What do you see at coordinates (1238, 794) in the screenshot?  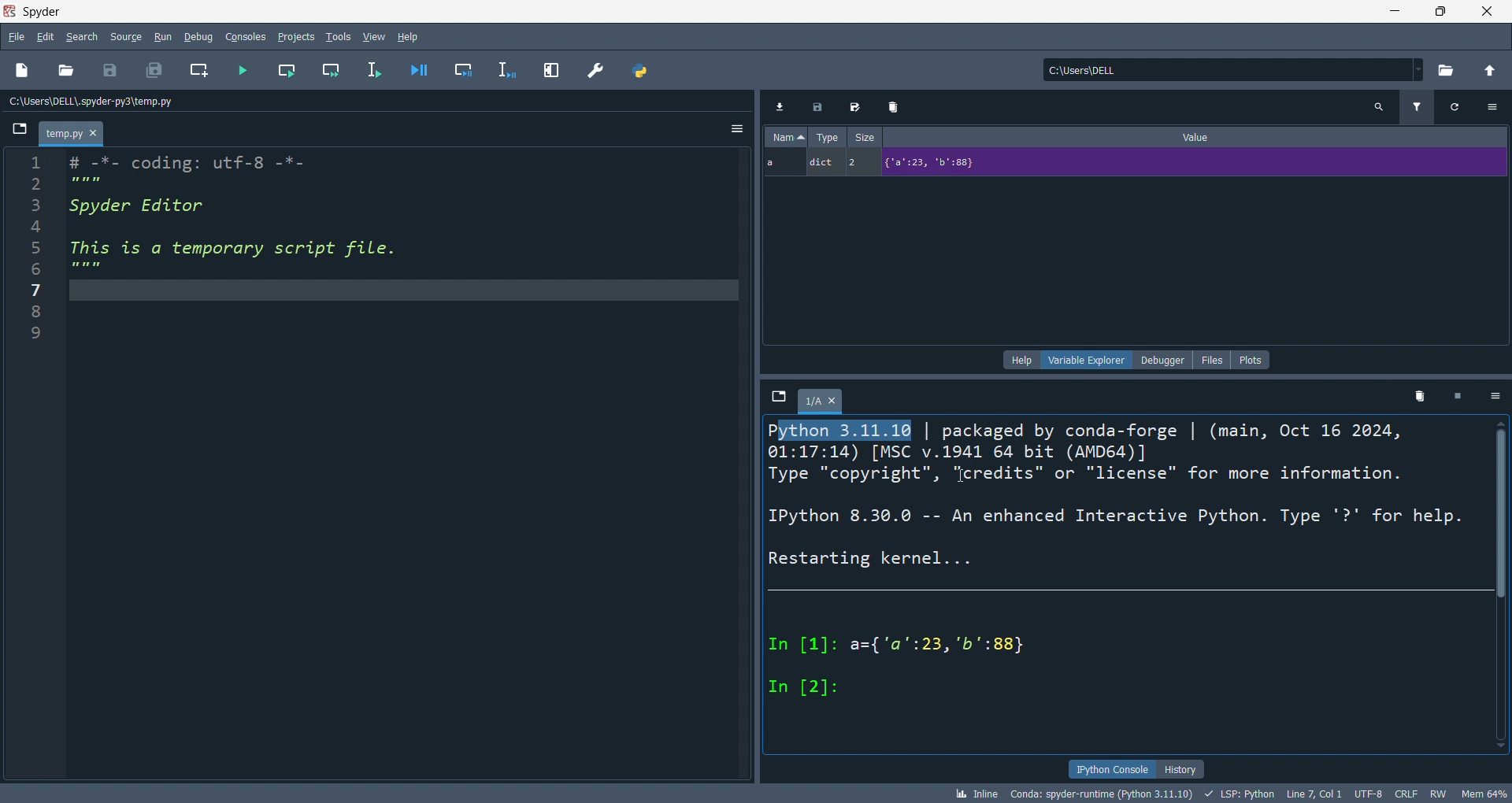 I see `LSP: Python` at bounding box center [1238, 794].